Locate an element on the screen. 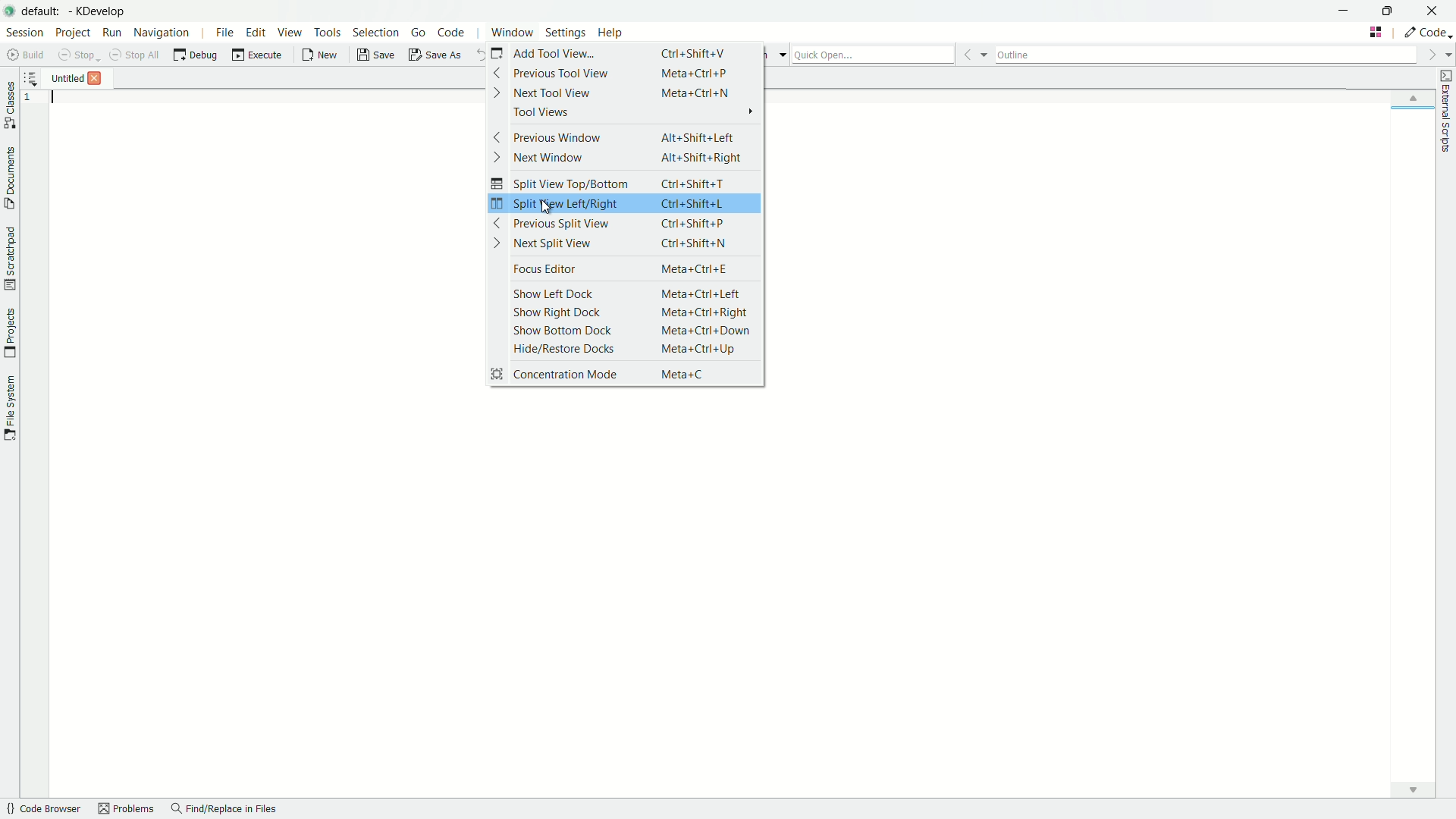  toggle external scripts is located at coordinates (1447, 110).